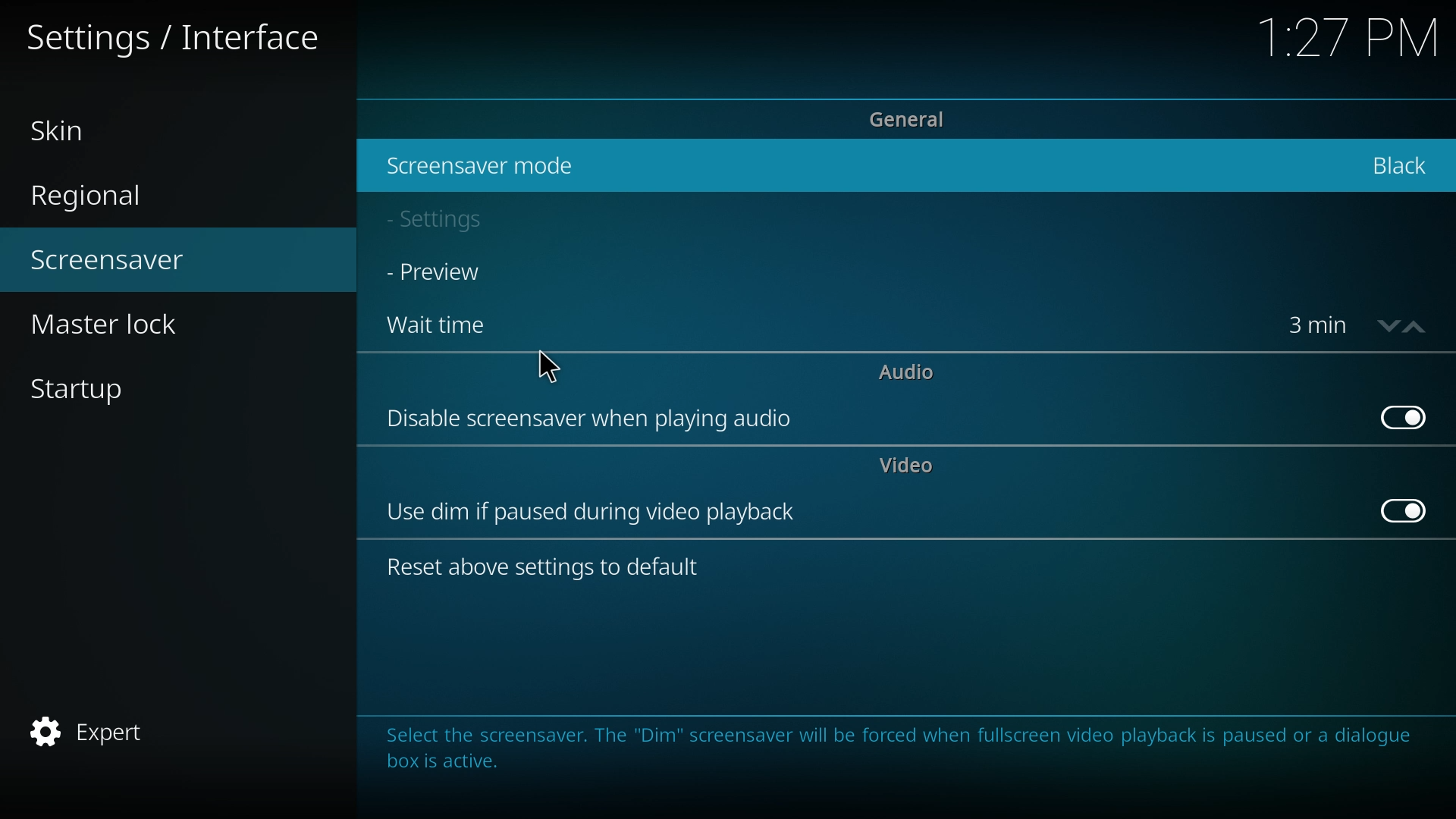  I want to click on master lock, so click(133, 324).